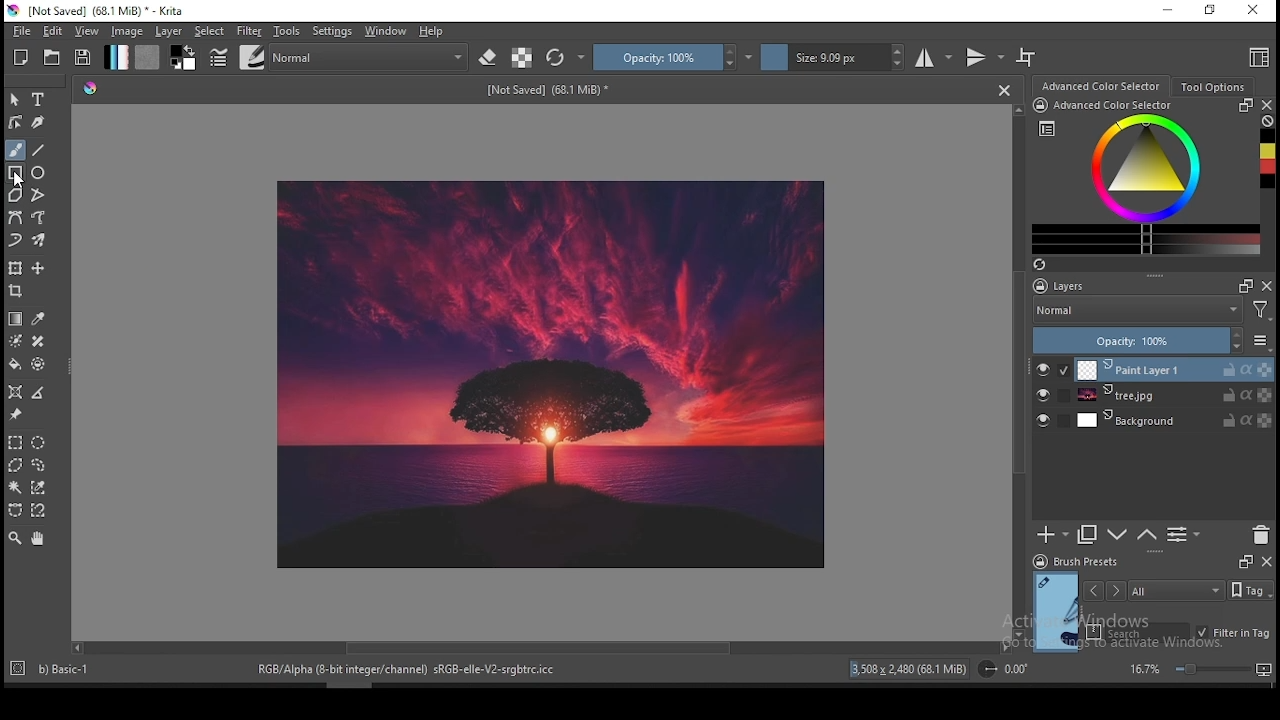 The width and height of the screenshot is (1280, 720). What do you see at coordinates (16, 121) in the screenshot?
I see `edit shapes tool` at bounding box center [16, 121].